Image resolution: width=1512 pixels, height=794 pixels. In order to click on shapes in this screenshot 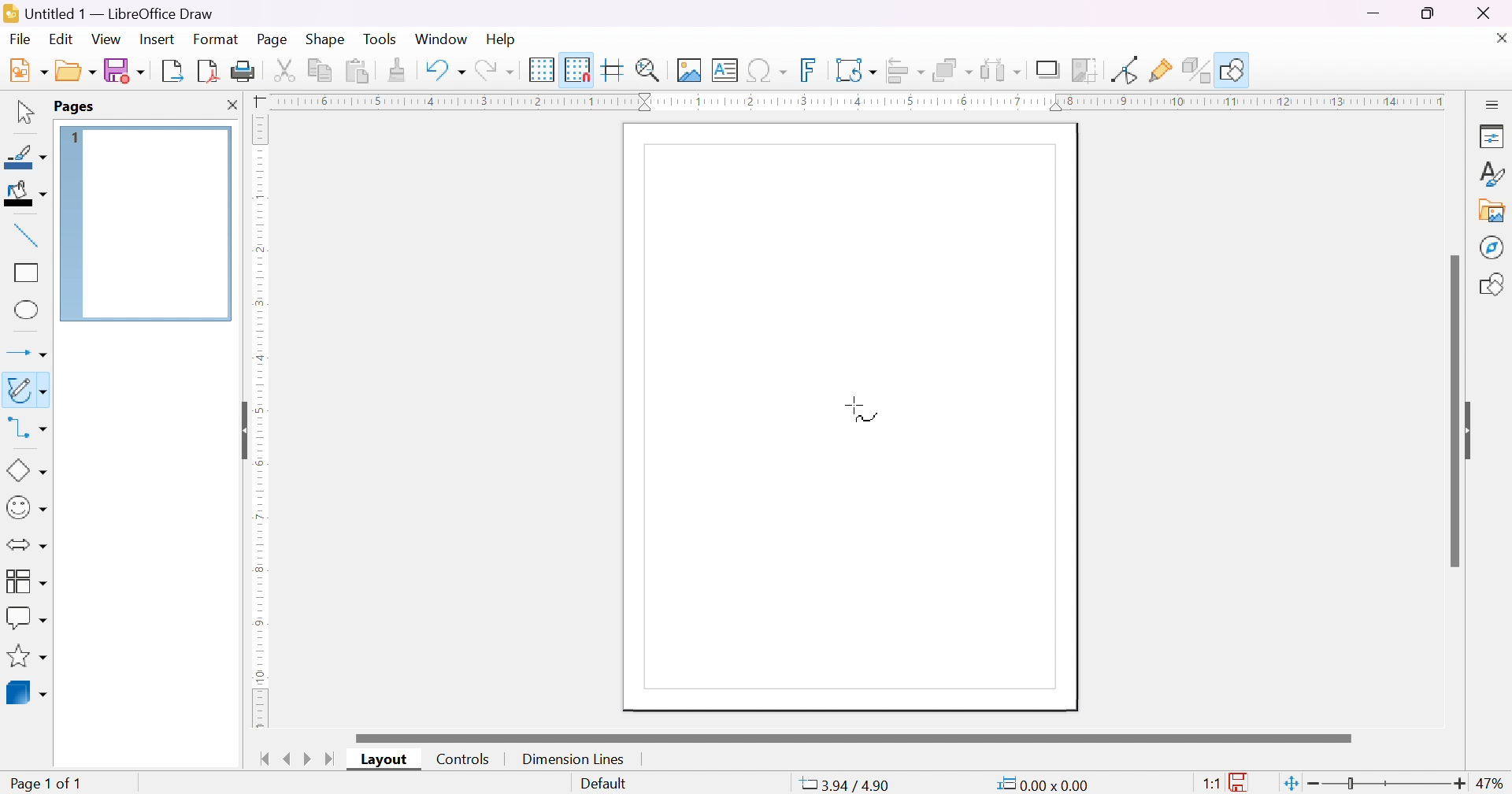, I will do `click(1493, 286)`.